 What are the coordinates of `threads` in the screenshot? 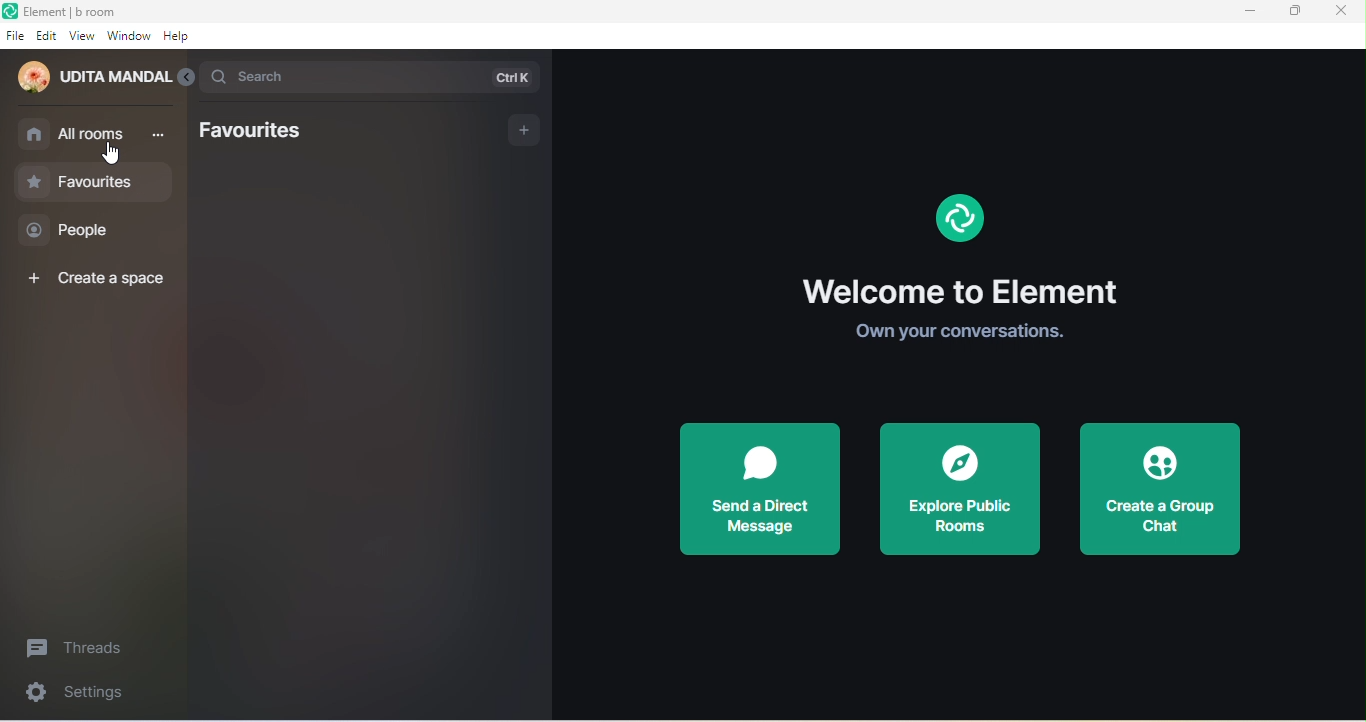 It's located at (83, 646).